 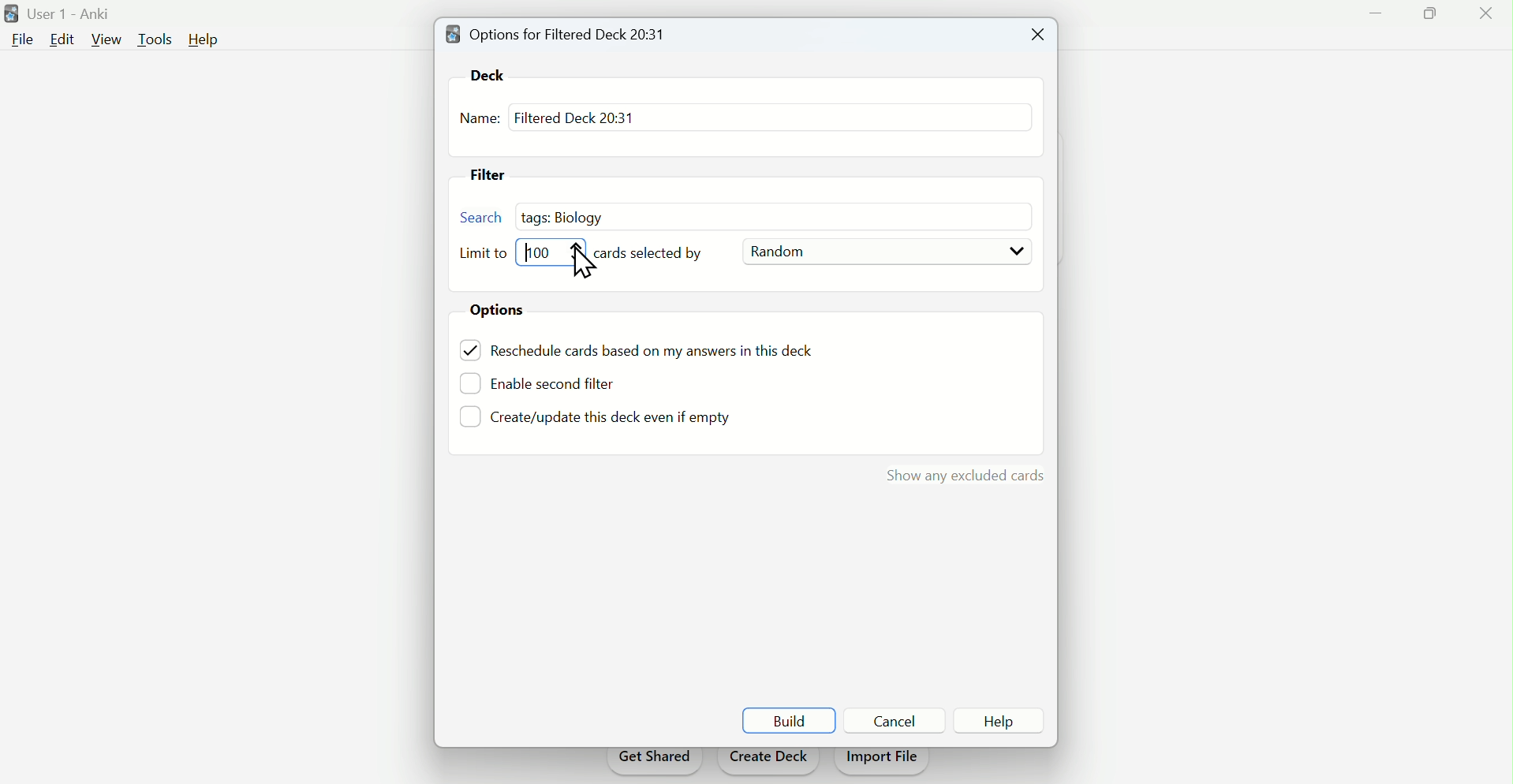 What do you see at coordinates (657, 253) in the screenshot?
I see `Cards selected by` at bounding box center [657, 253].